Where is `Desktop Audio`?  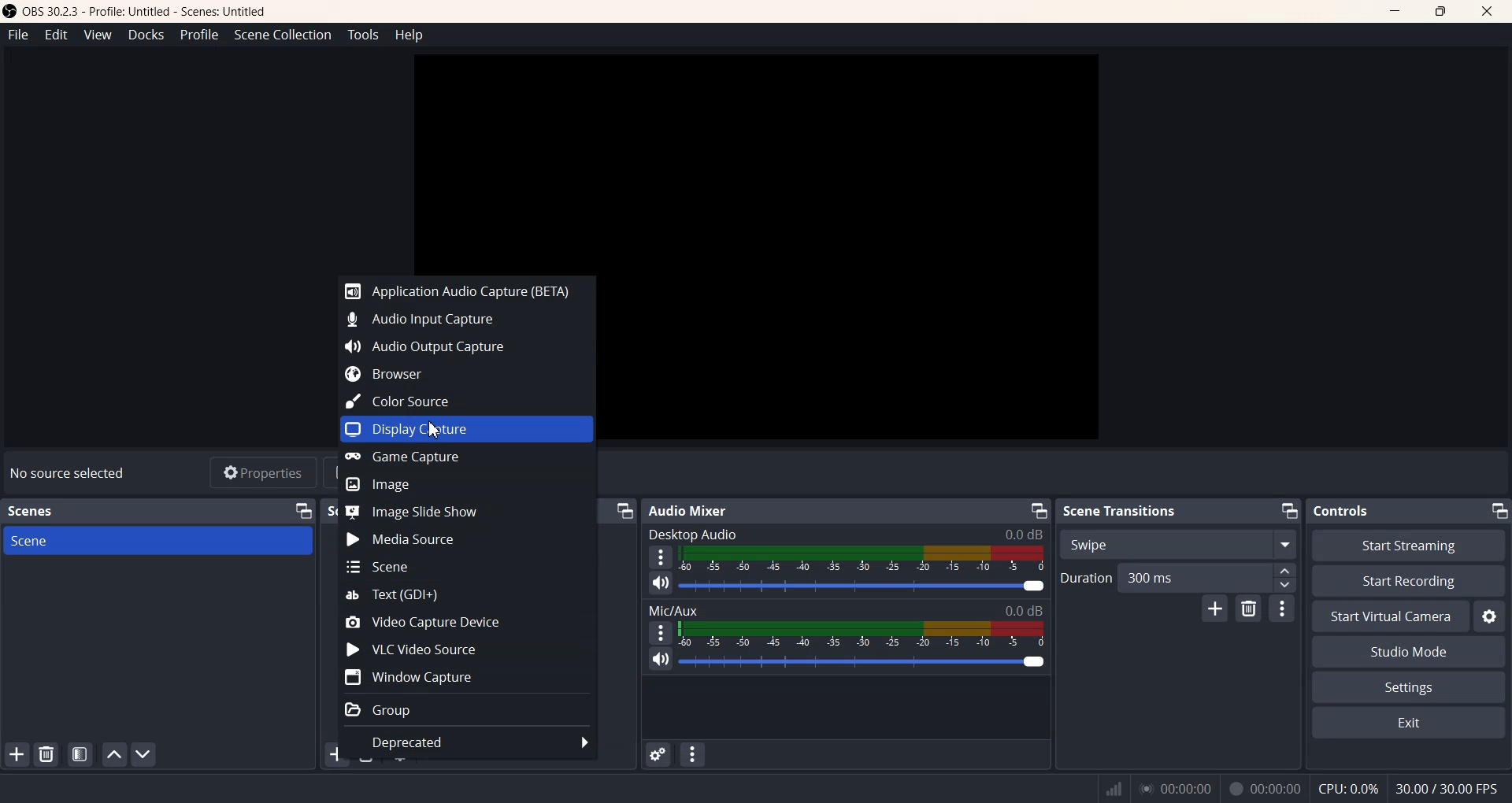
Desktop Audio is located at coordinates (848, 534).